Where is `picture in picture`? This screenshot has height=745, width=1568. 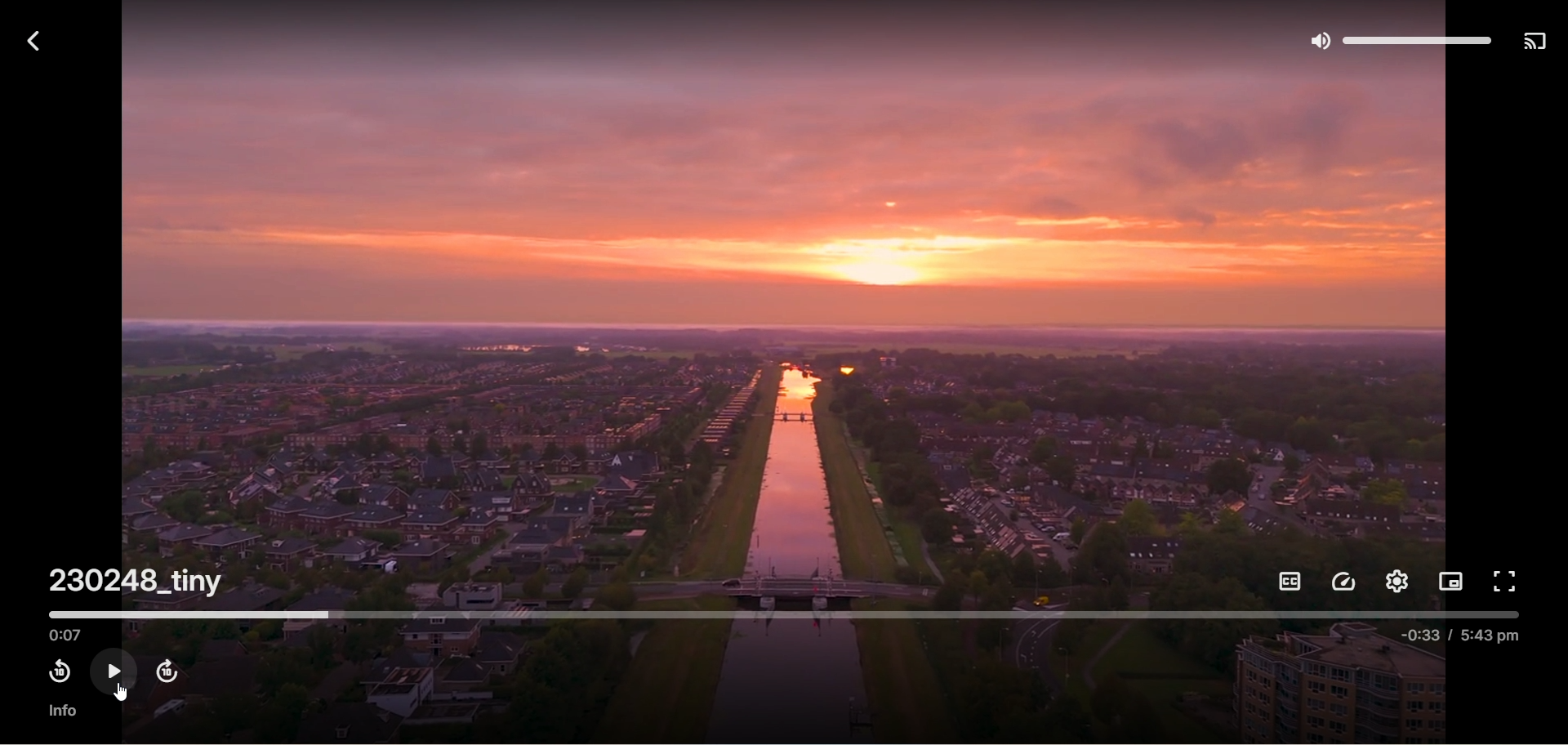 picture in picture is located at coordinates (1453, 582).